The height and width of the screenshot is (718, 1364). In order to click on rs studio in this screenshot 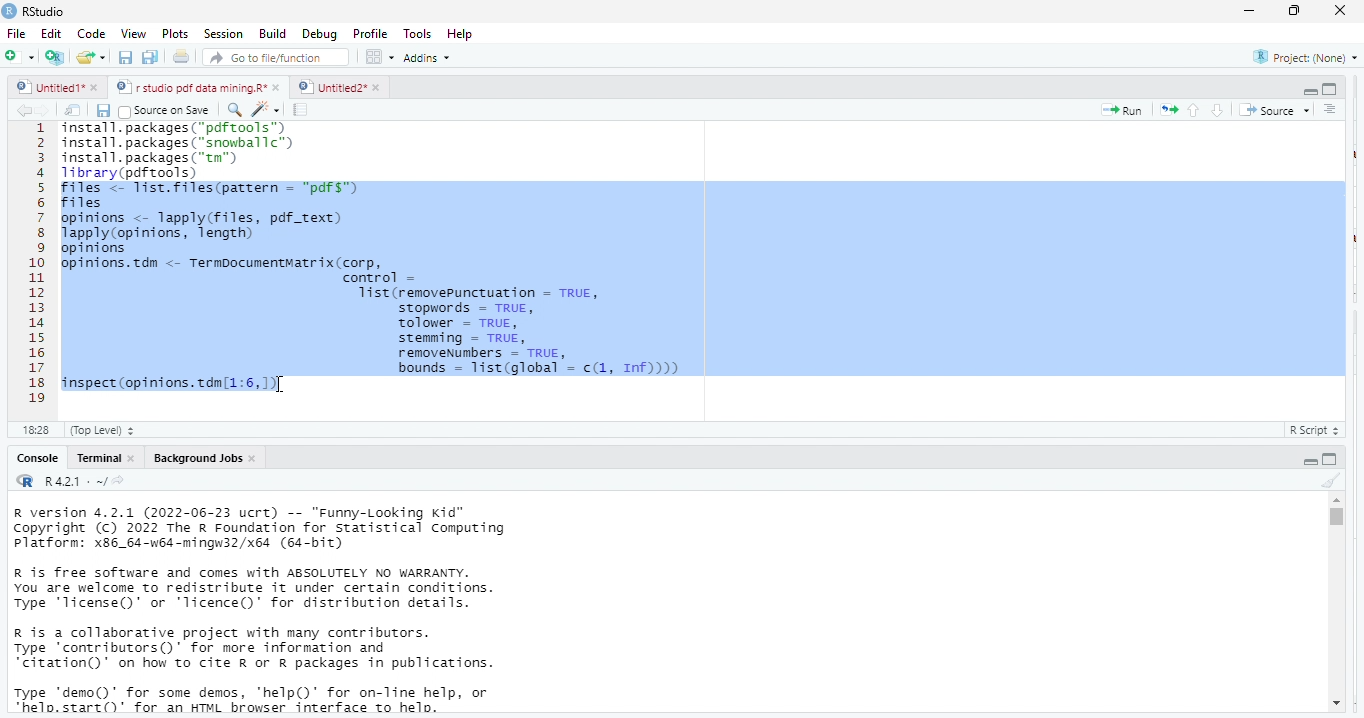, I will do `click(45, 11)`.